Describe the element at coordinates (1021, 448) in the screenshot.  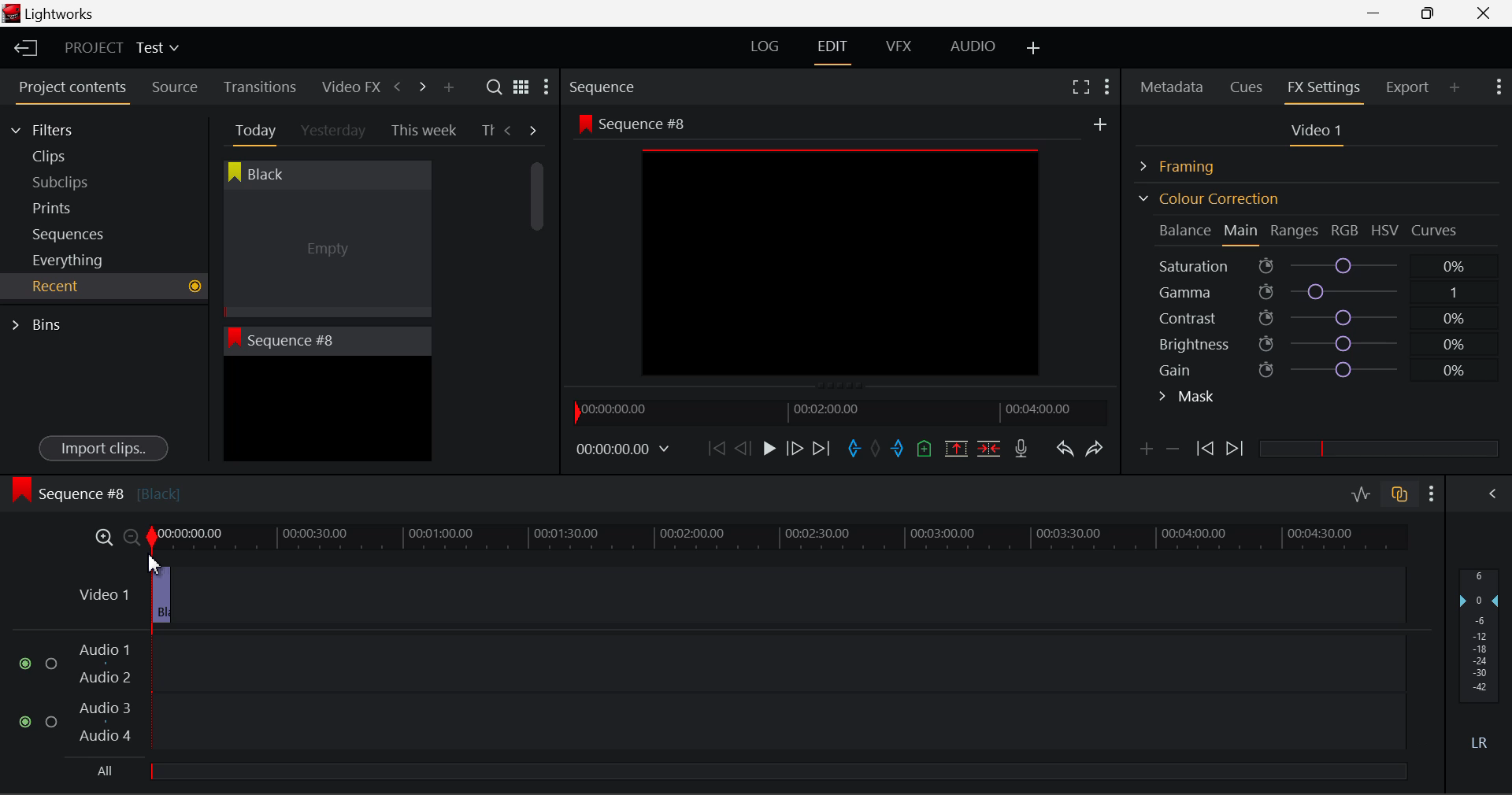
I see `Recrod Voiceover` at that location.